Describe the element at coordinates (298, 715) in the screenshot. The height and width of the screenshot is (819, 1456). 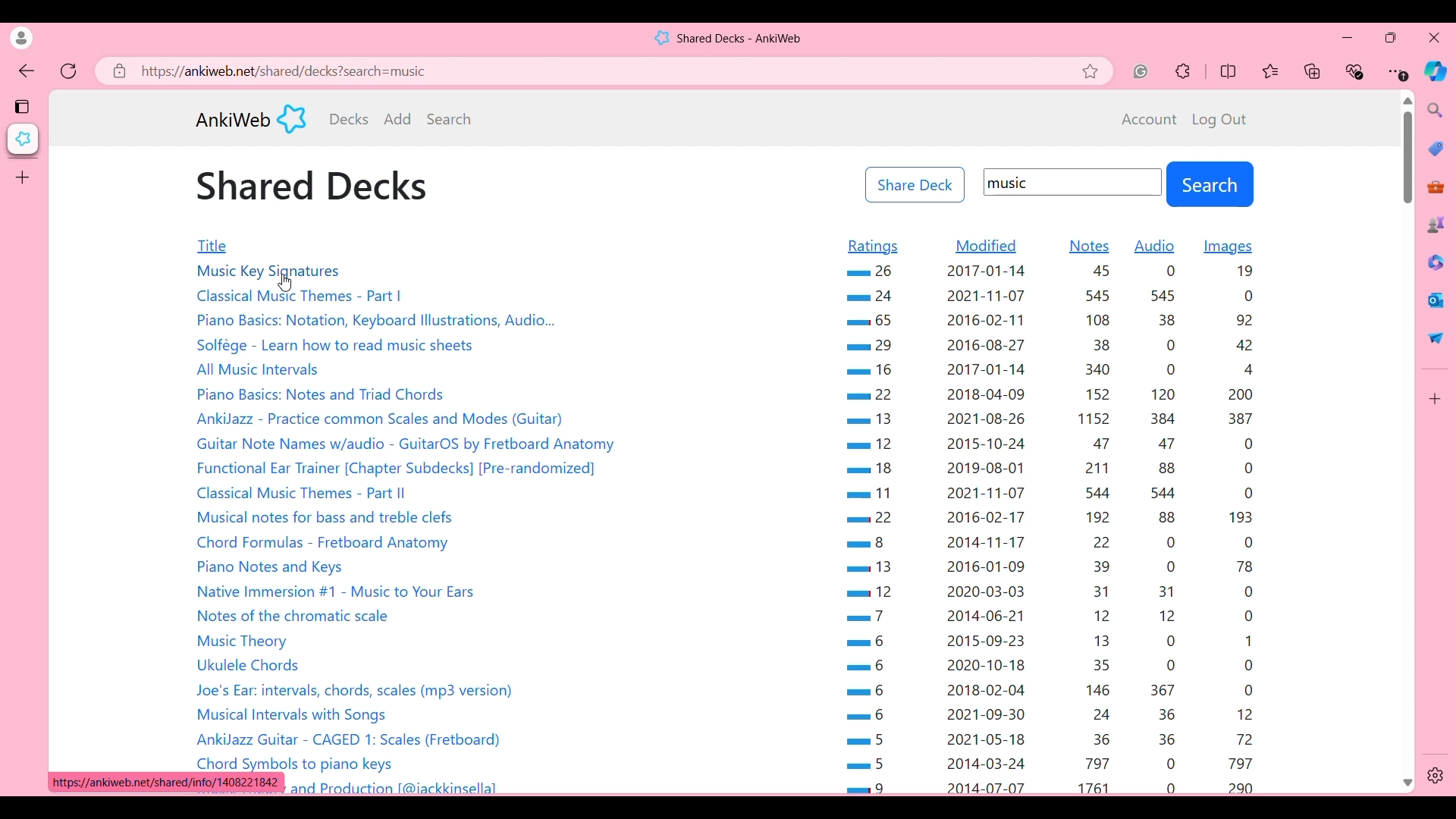
I see `Musical Intervals with Songs` at that location.